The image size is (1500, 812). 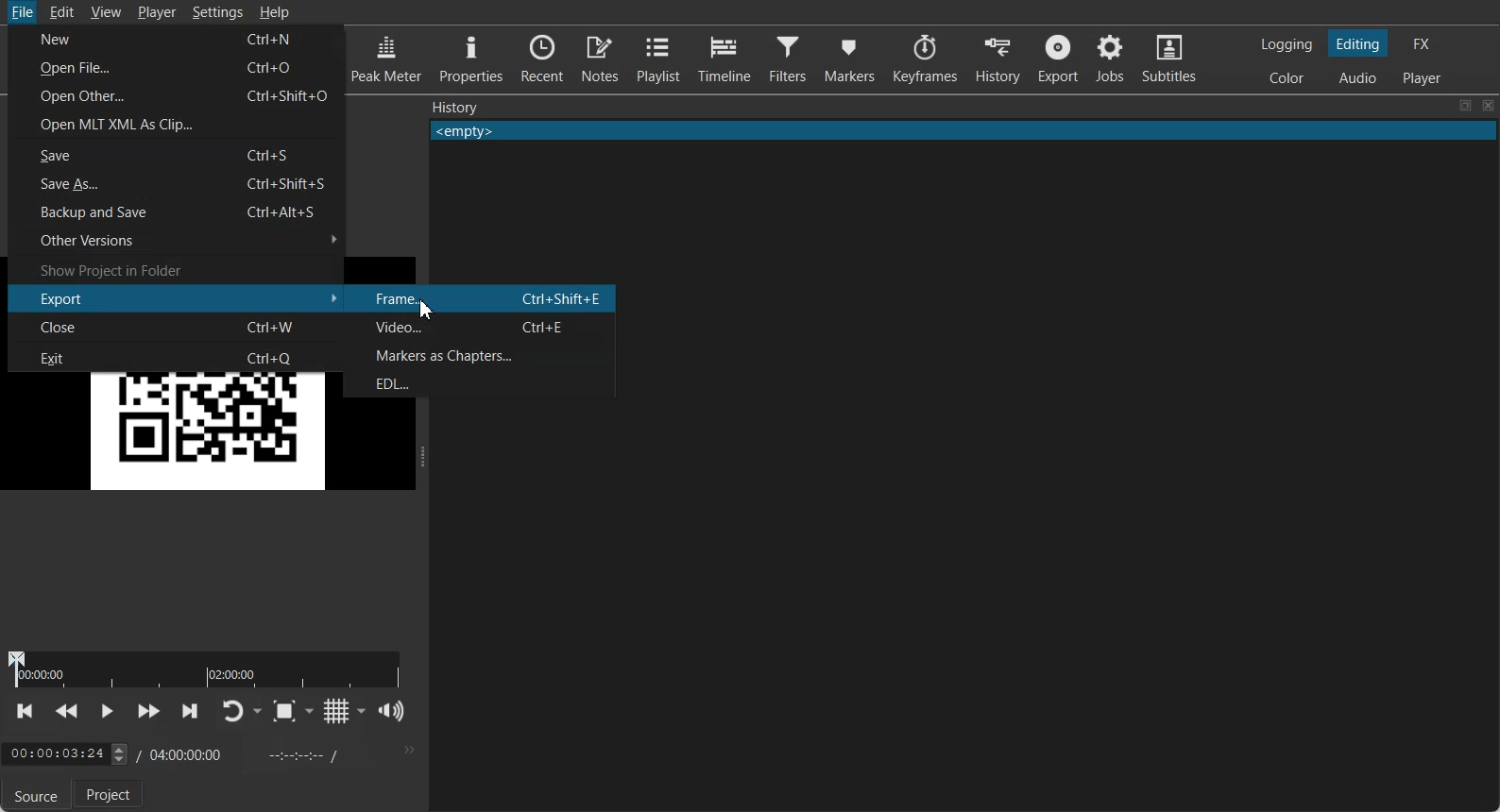 What do you see at coordinates (963, 131) in the screenshot?
I see `Text` at bounding box center [963, 131].